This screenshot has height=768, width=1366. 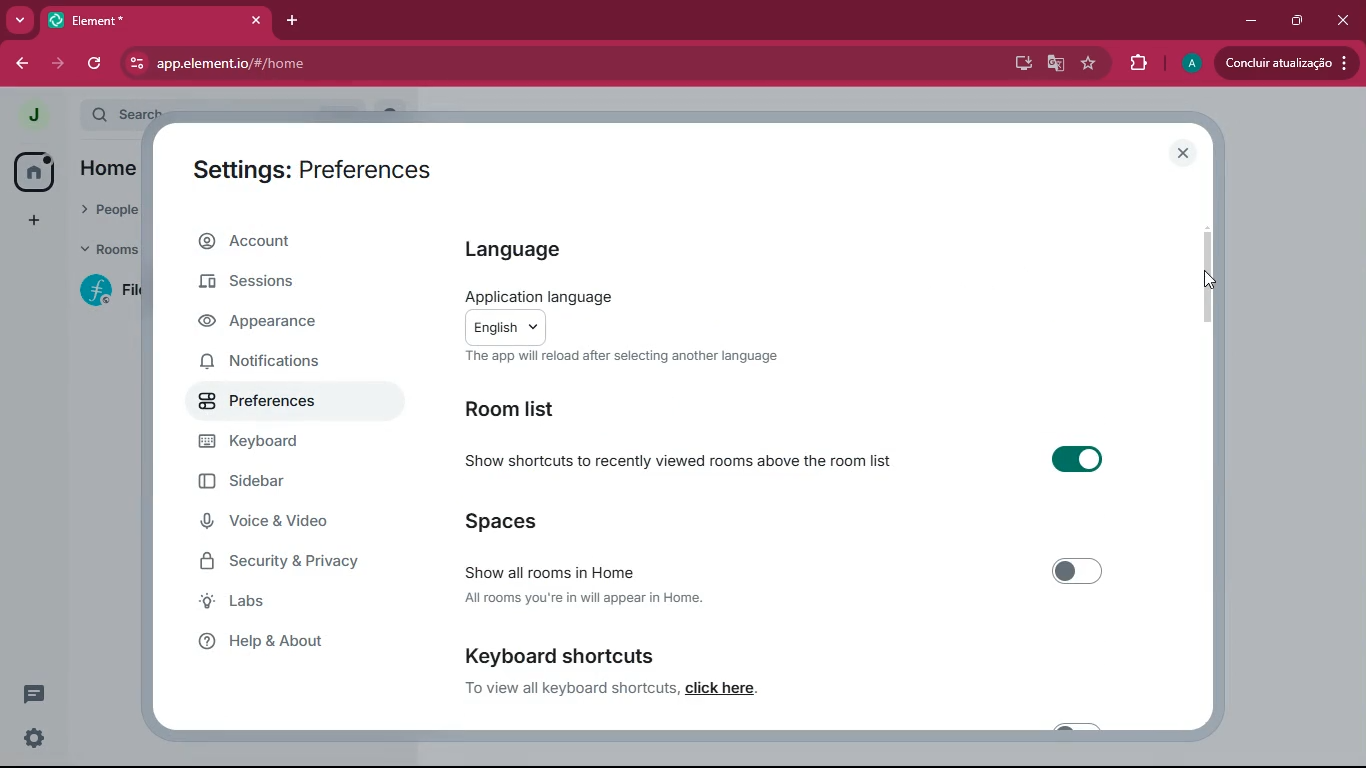 I want to click on sessions, so click(x=279, y=283).